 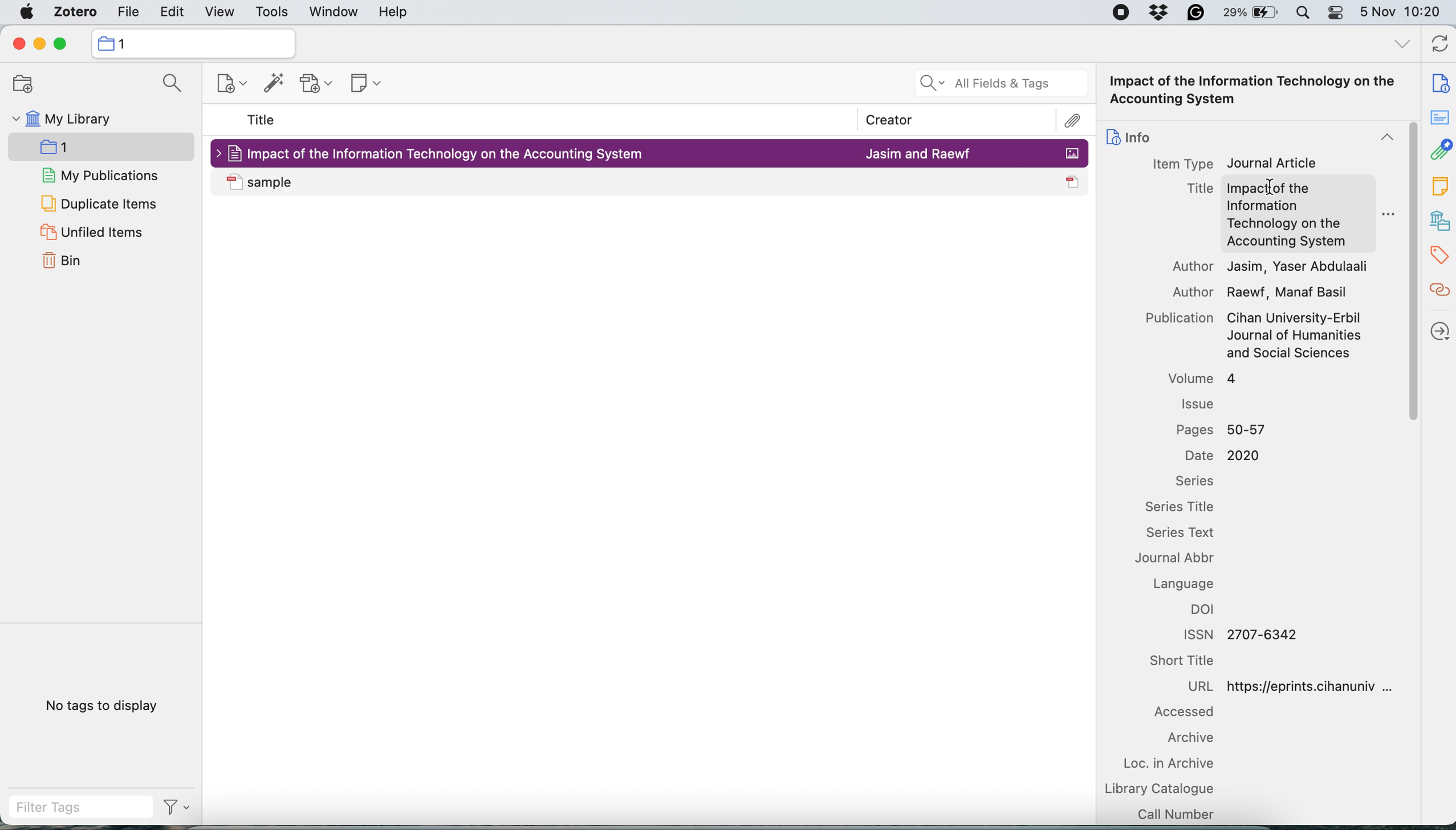 I want to click on screen recorder, so click(x=1123, y=12).